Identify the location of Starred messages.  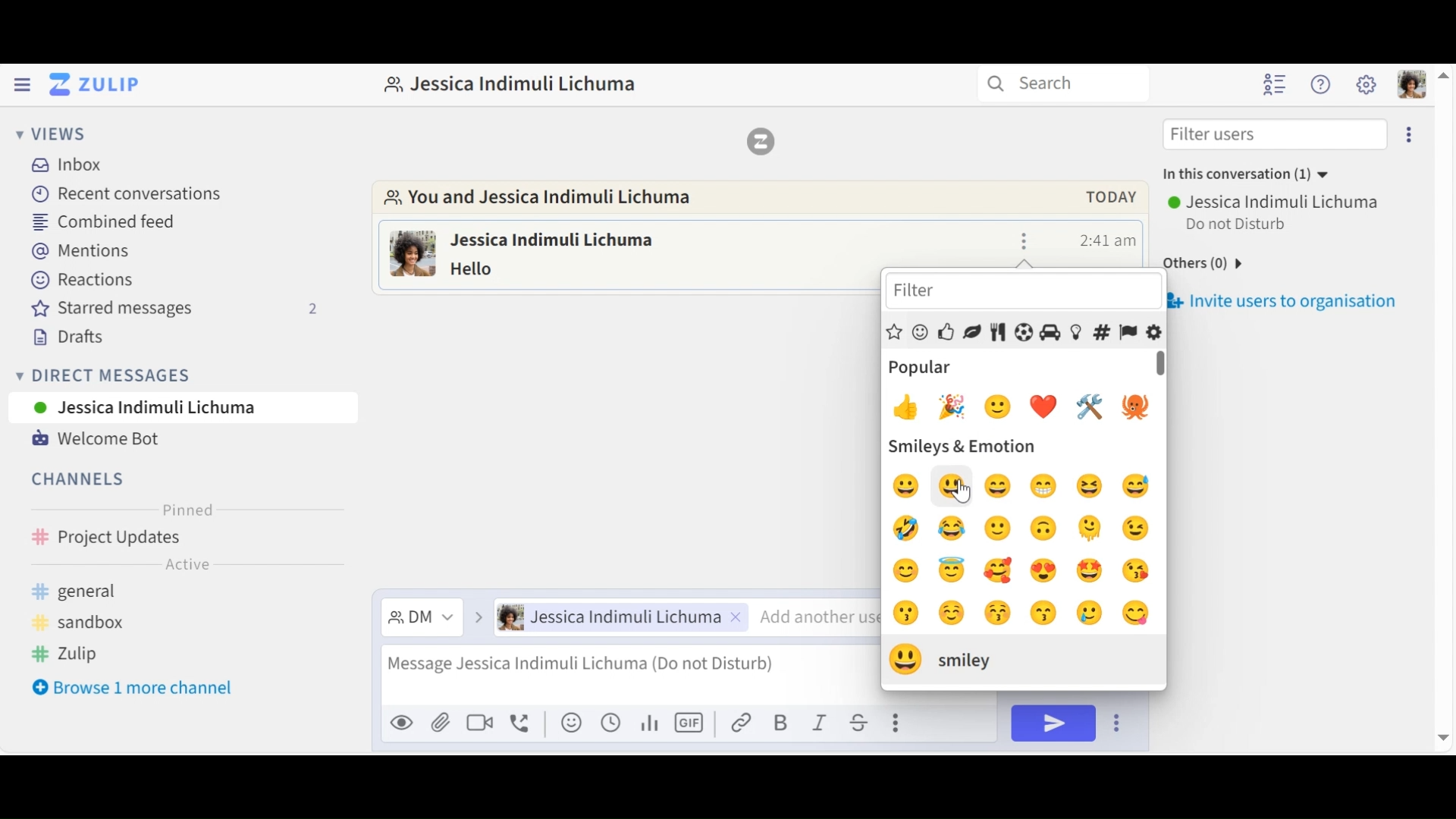
(176, 309).